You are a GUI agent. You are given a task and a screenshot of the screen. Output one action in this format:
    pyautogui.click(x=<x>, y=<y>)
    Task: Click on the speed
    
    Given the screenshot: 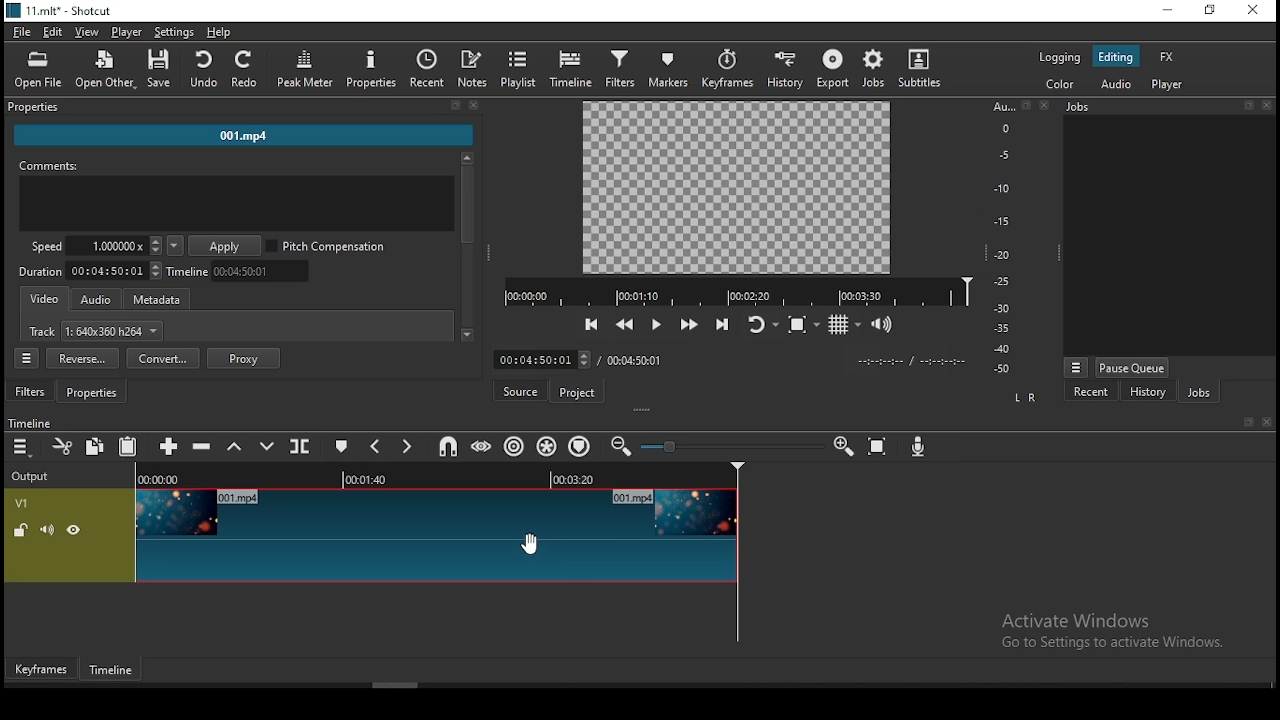 What is the action you would take?
    pyautogui.click(x=93, y=247)
    